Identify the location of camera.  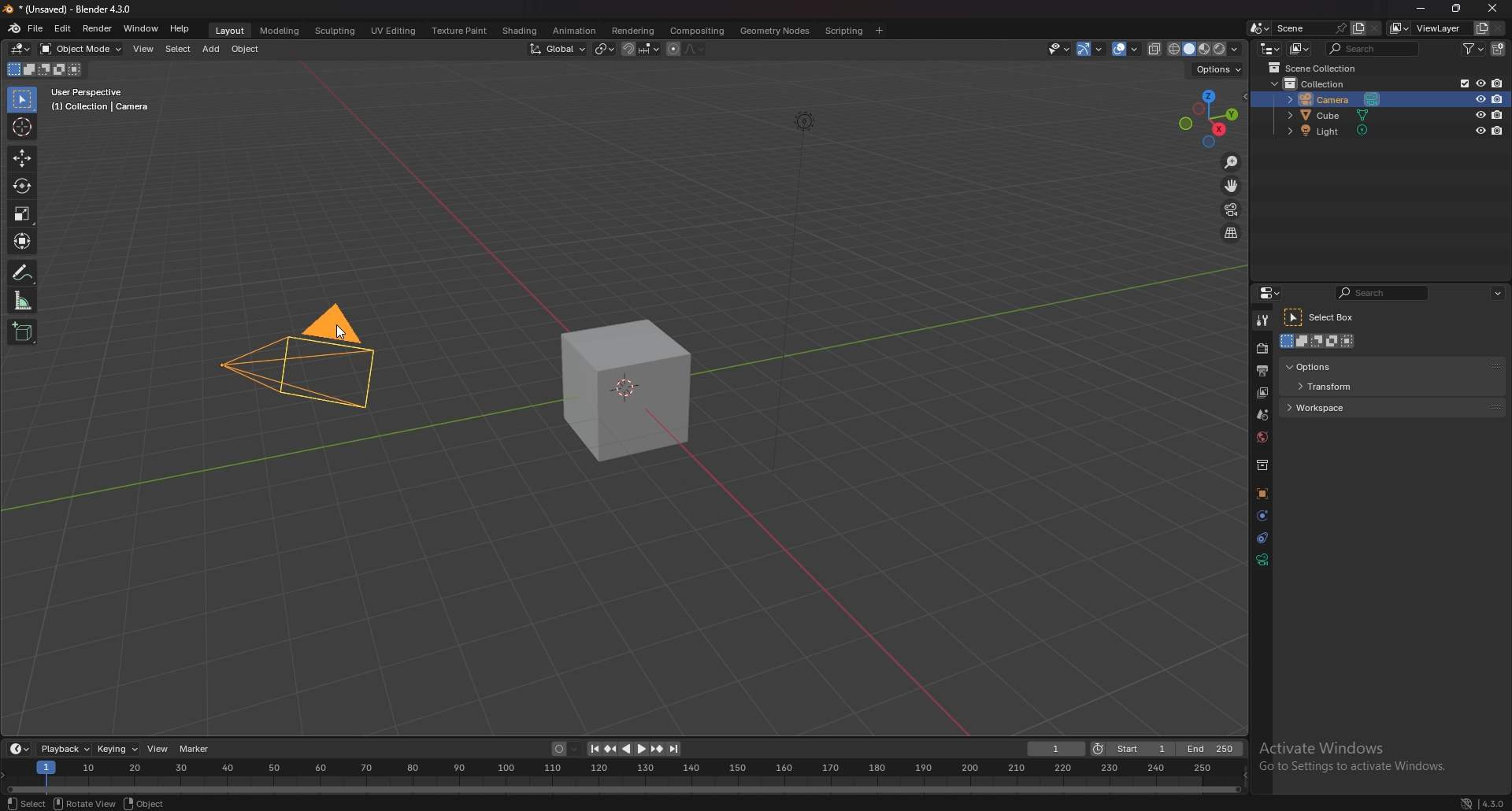
(298, 365).